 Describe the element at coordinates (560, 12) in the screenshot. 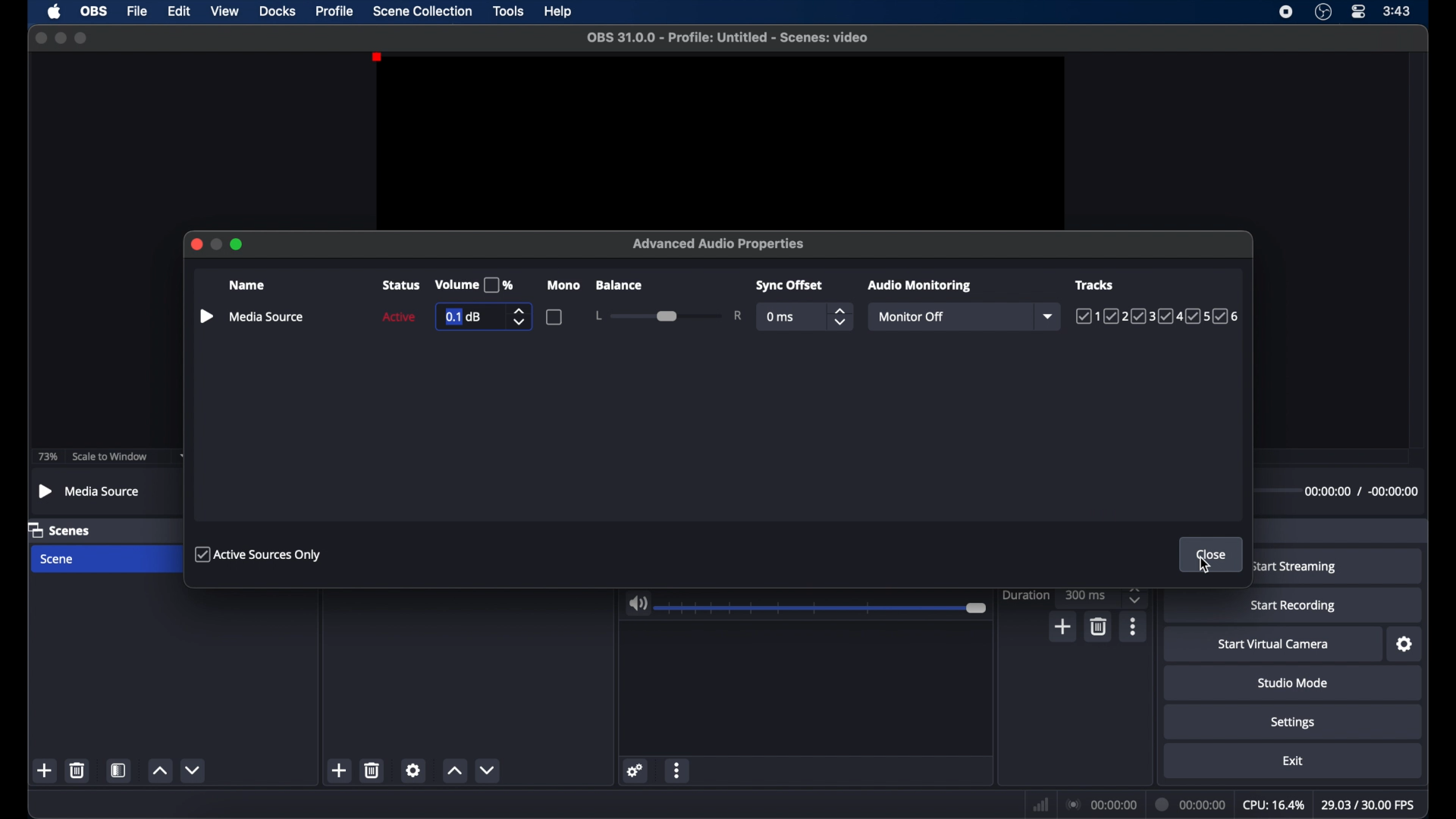

I see `help` at that location.